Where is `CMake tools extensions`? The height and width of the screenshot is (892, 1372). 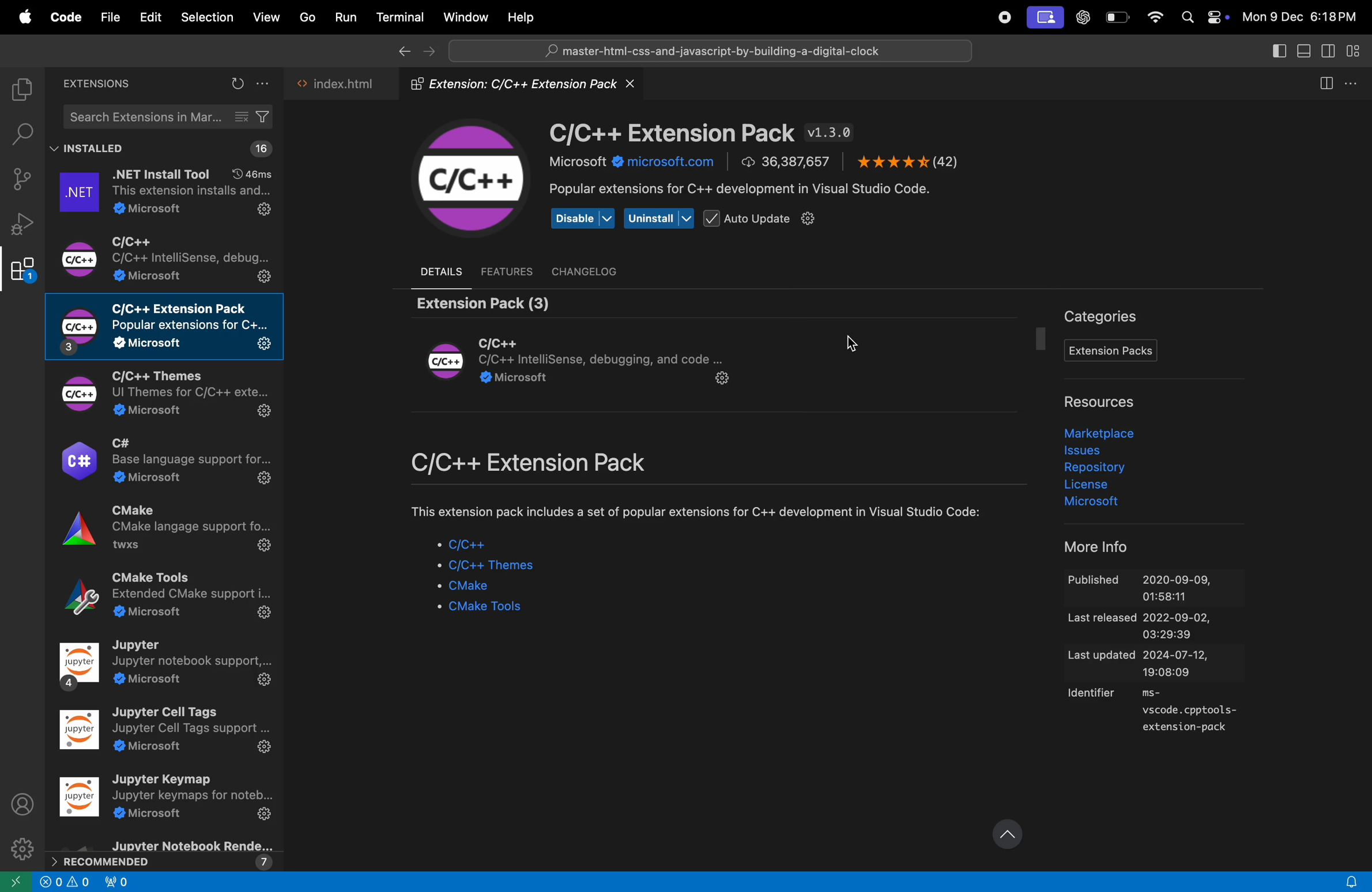 CMake tools extensions is located at coordinates (163, 598).